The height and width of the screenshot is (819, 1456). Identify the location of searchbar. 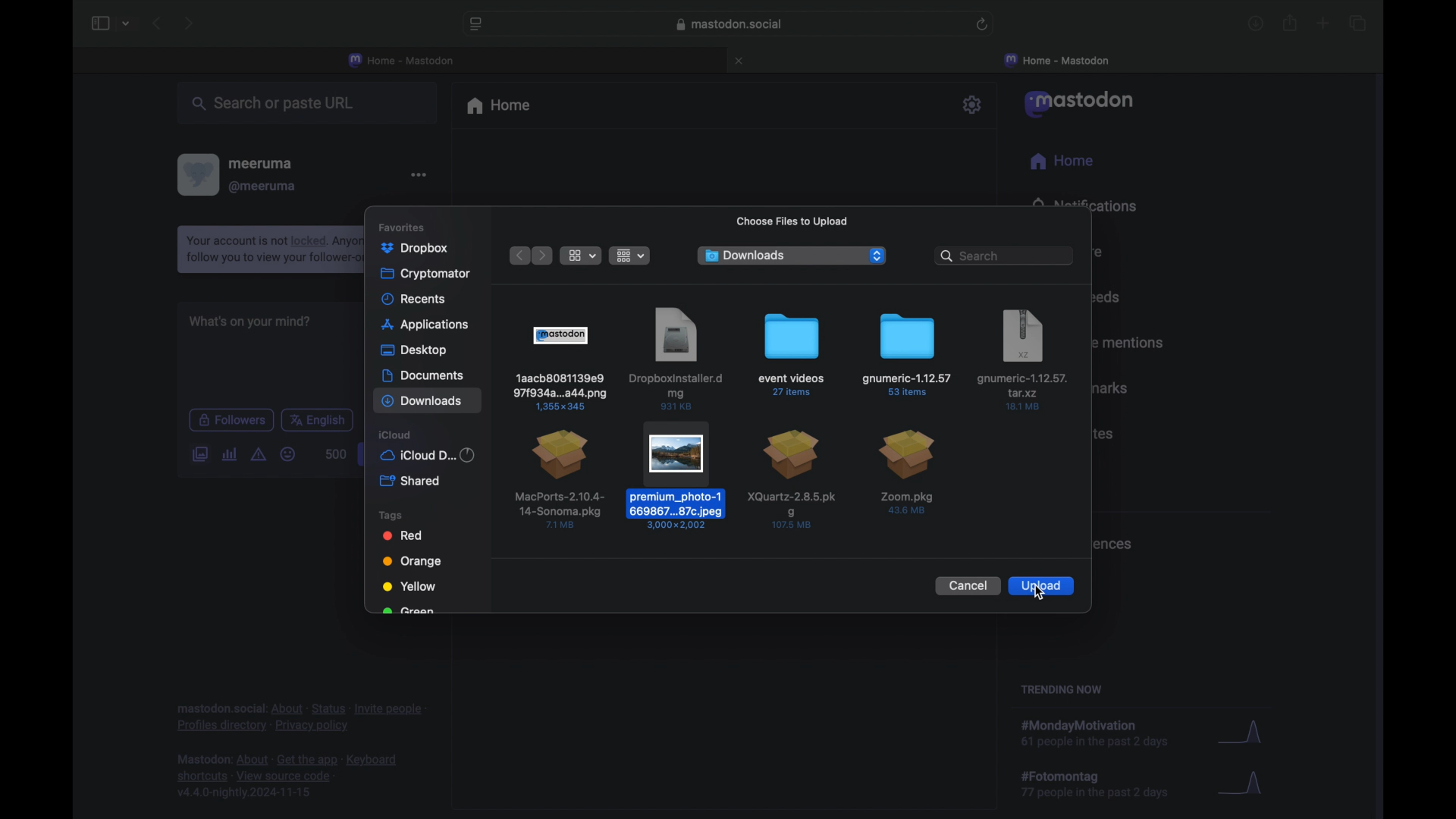
(1006, 256).